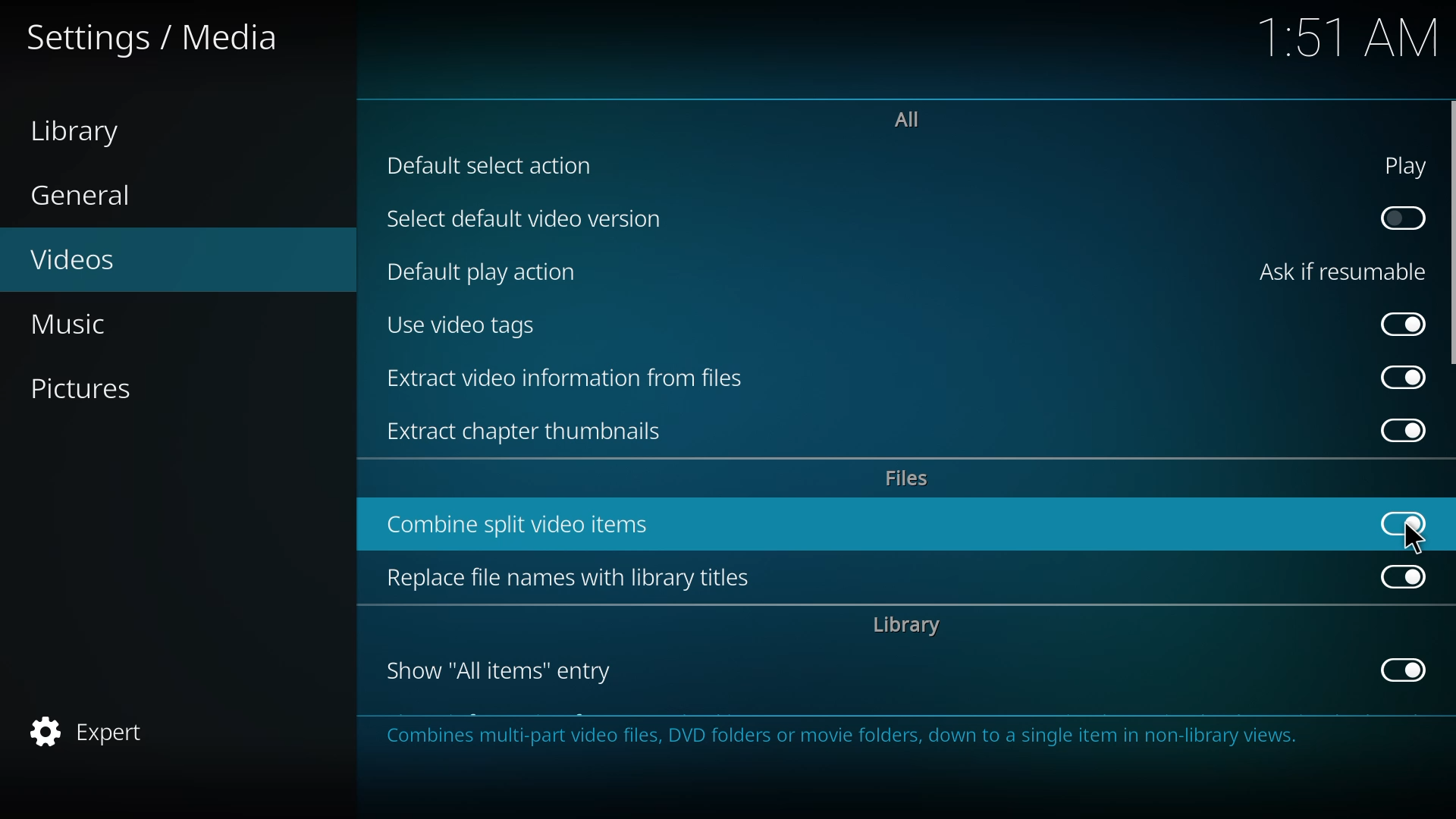  What do you see at coordinates (500, 670) in the screenshot?
I see `show all items entry` at bounding box center [500, 670].